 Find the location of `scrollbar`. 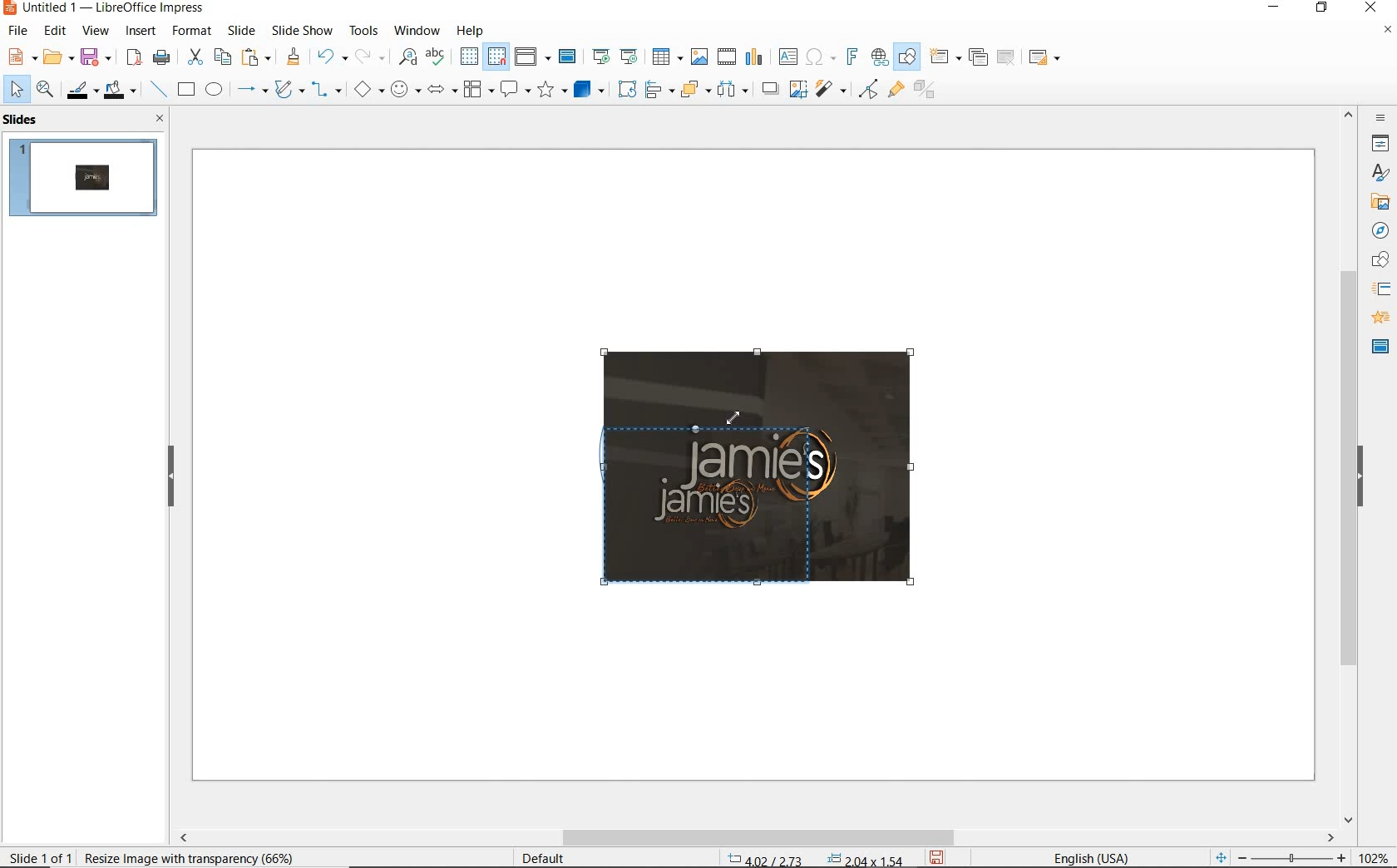

scrollbar is located at coordinates (755, 837).